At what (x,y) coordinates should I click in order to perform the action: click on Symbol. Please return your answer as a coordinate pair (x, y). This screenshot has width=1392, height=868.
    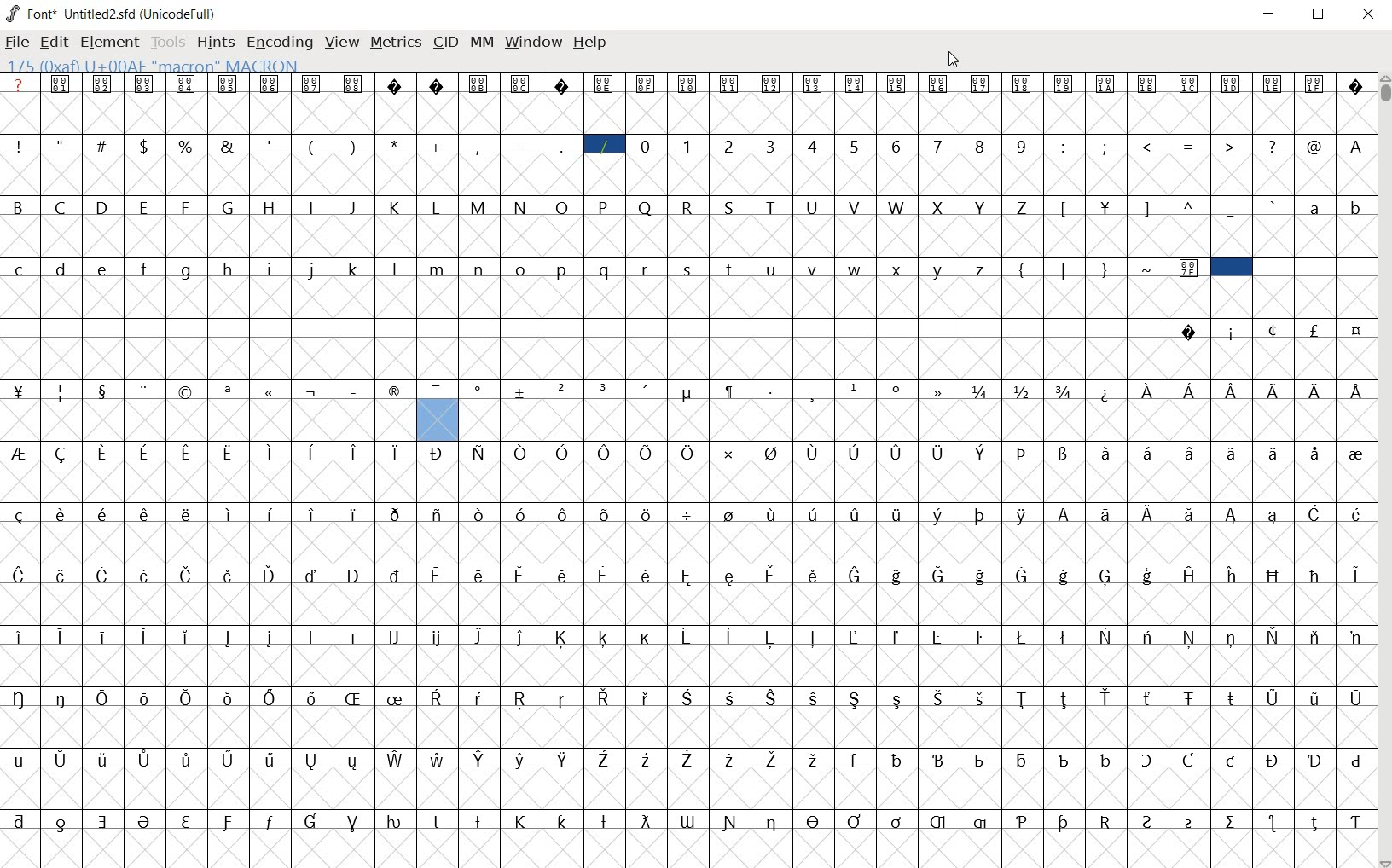
    Looking at the image, I should click on (525, 698).